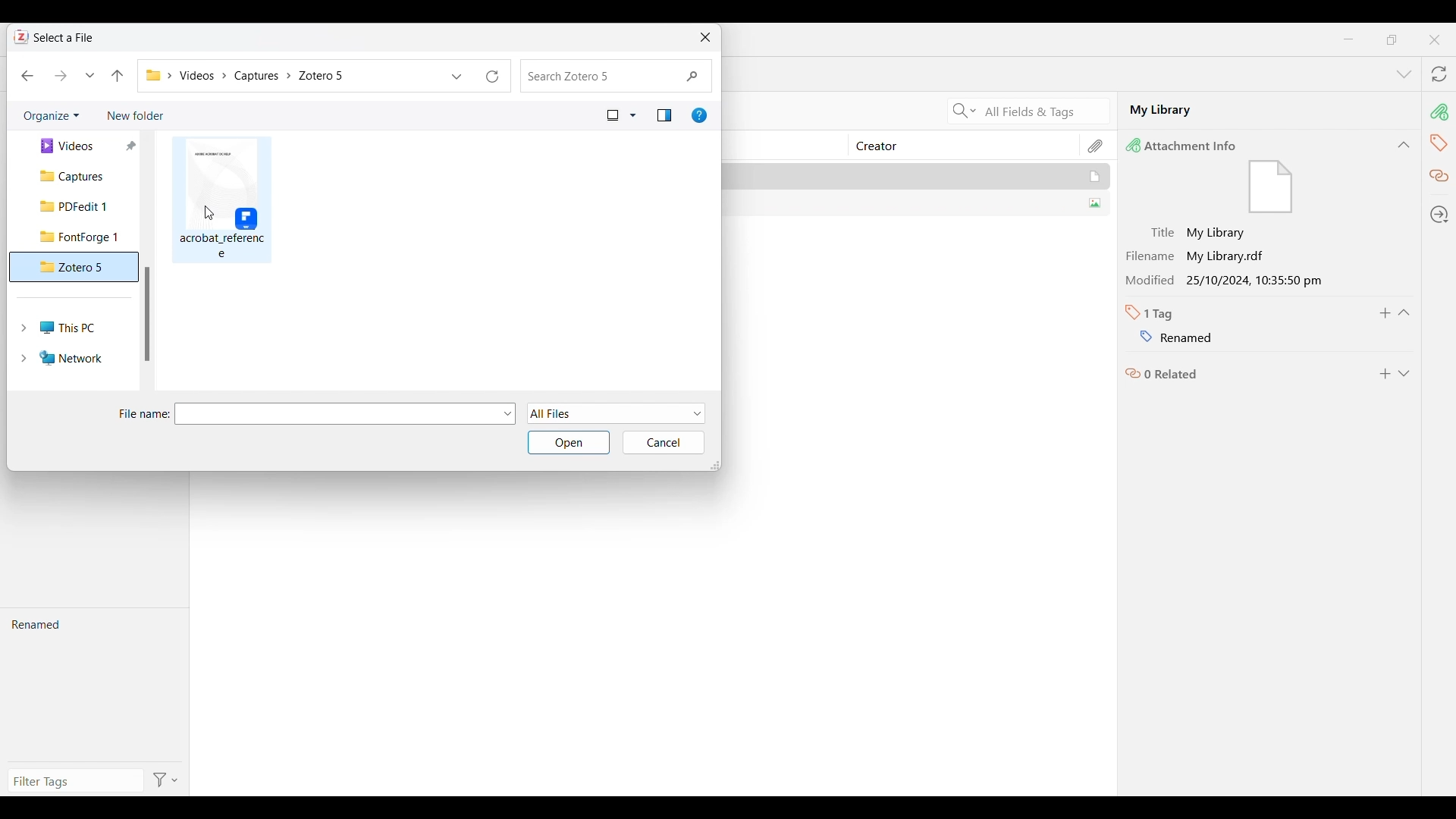  What do you see at coordinates (714, 465) in the screenshot?
I see `Change dimension of window` at bounding box center [714, 465].